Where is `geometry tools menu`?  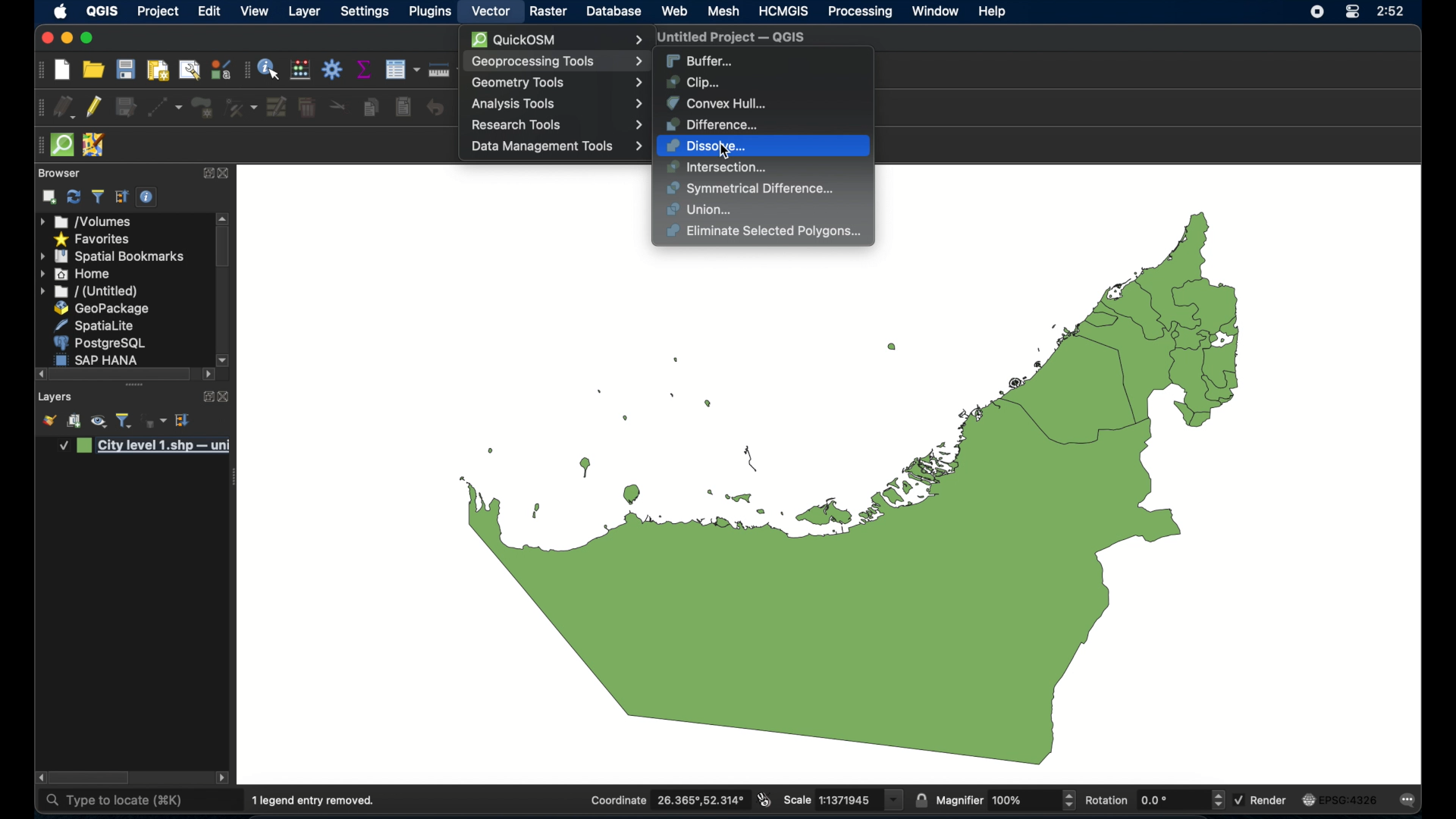
geometry tools menu is located at coordinates (557, 83).